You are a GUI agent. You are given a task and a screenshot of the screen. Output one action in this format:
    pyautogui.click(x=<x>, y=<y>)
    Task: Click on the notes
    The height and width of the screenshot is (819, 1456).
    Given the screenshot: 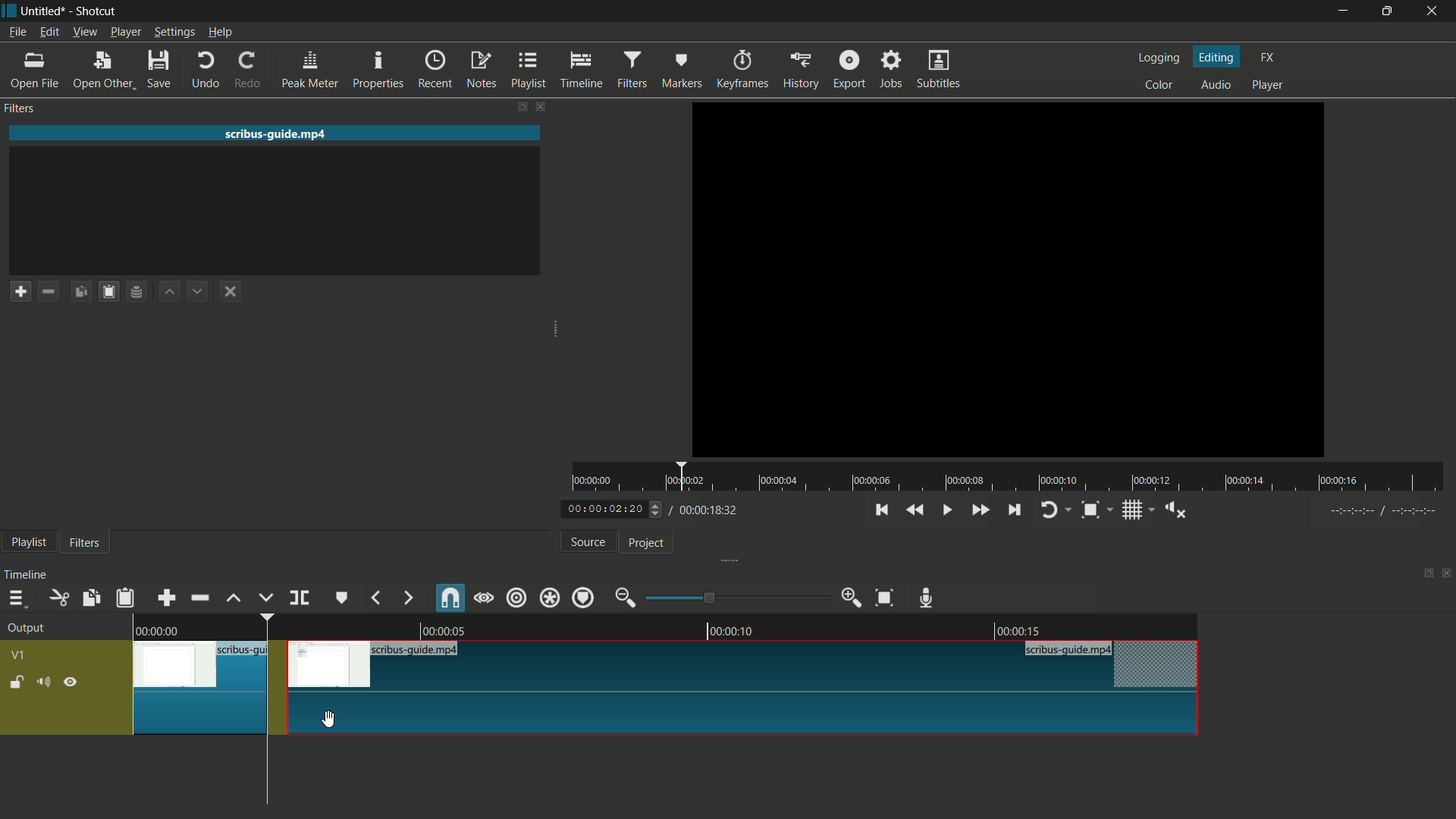 What is the action you would take?
    pyautogui.click(x=483, y=70)
    